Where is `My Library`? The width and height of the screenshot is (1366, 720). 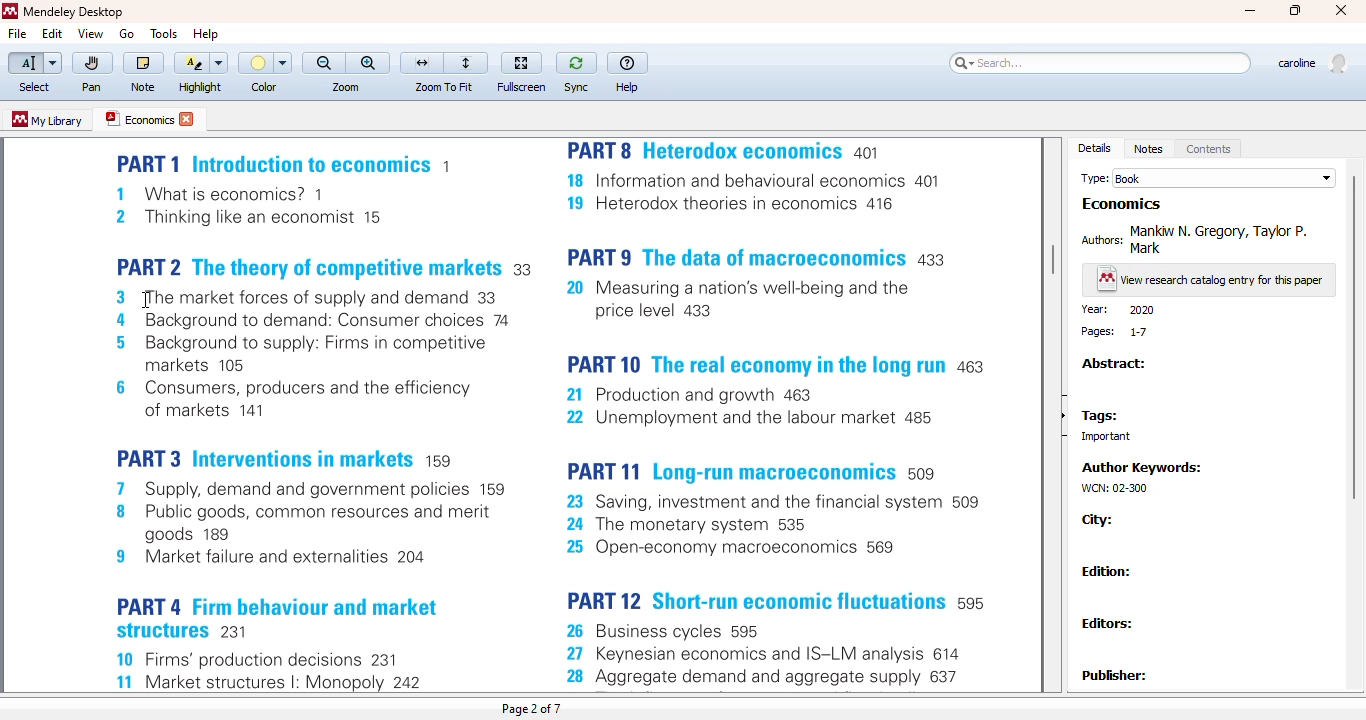 My Library is located at coordinates (47, 121).